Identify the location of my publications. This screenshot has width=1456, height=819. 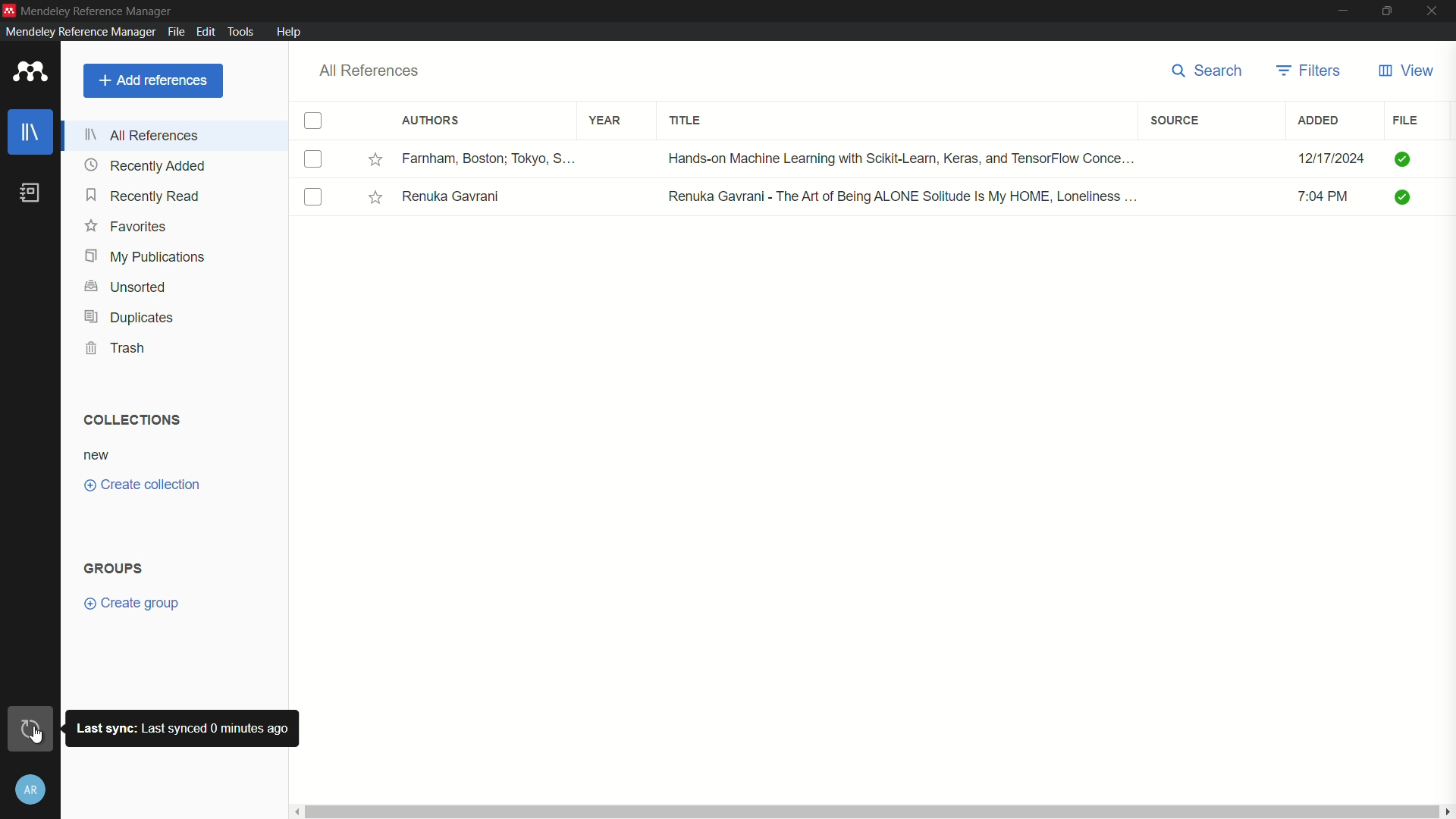
(144, 258).